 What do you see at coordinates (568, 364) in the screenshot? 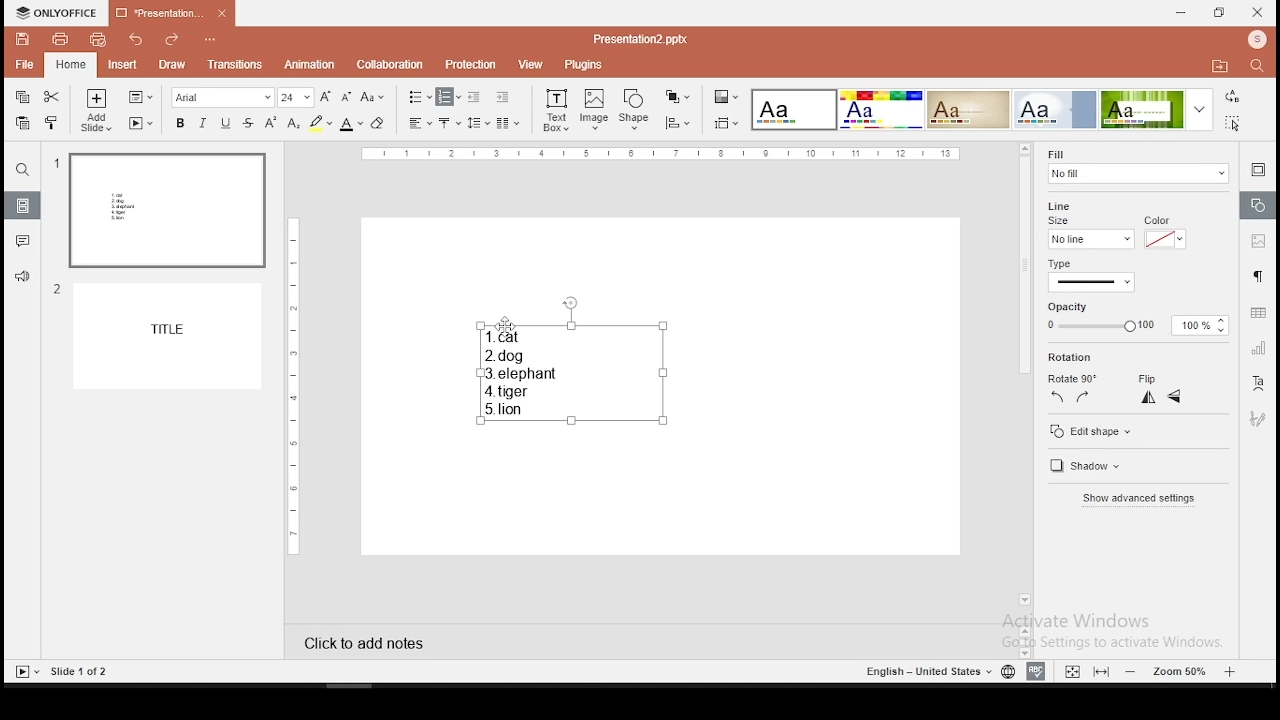
I see `text box` at bounding box center [568, 364].